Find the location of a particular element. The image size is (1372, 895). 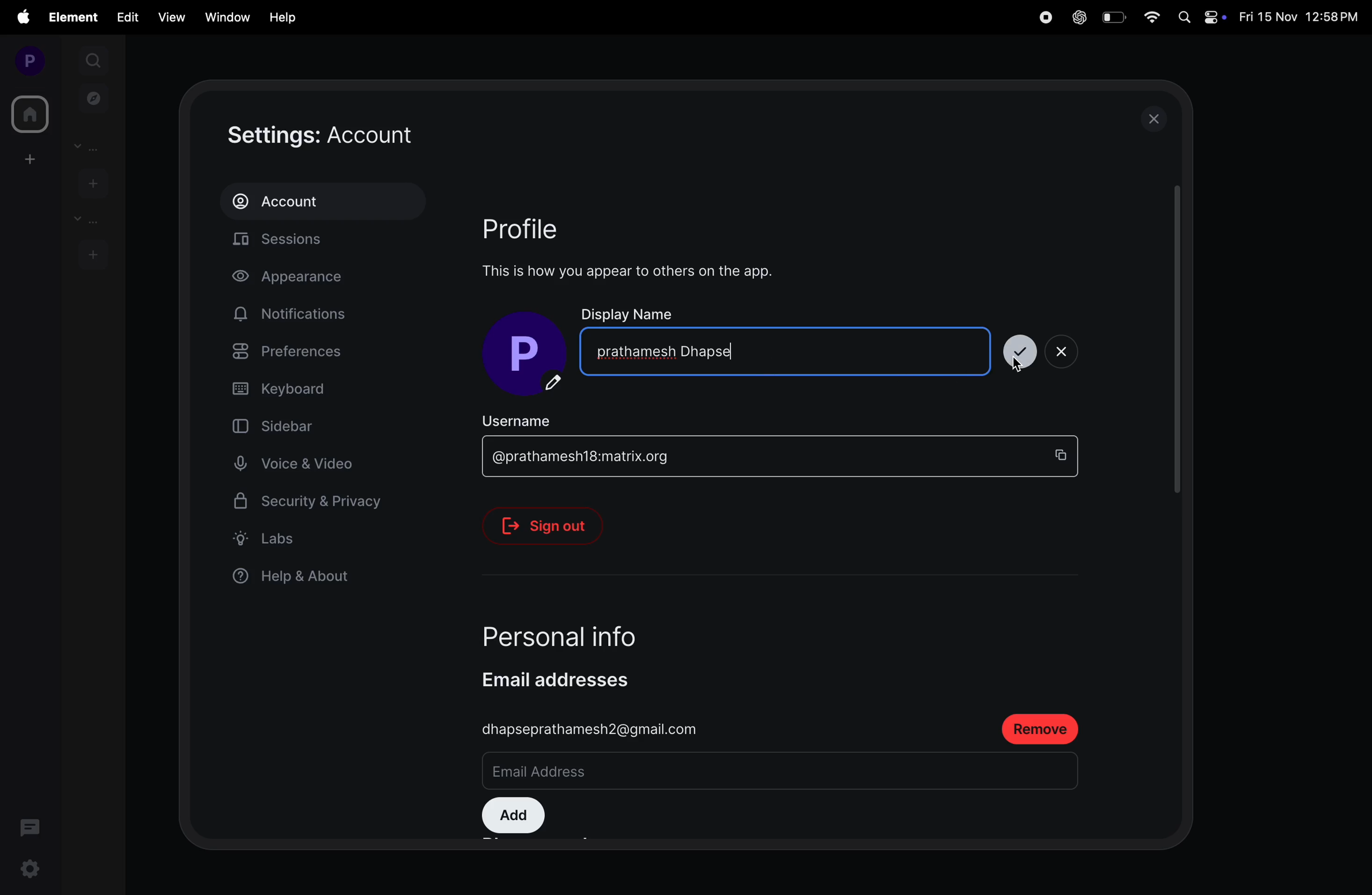

gmail id is located at coordinates (593, 729).